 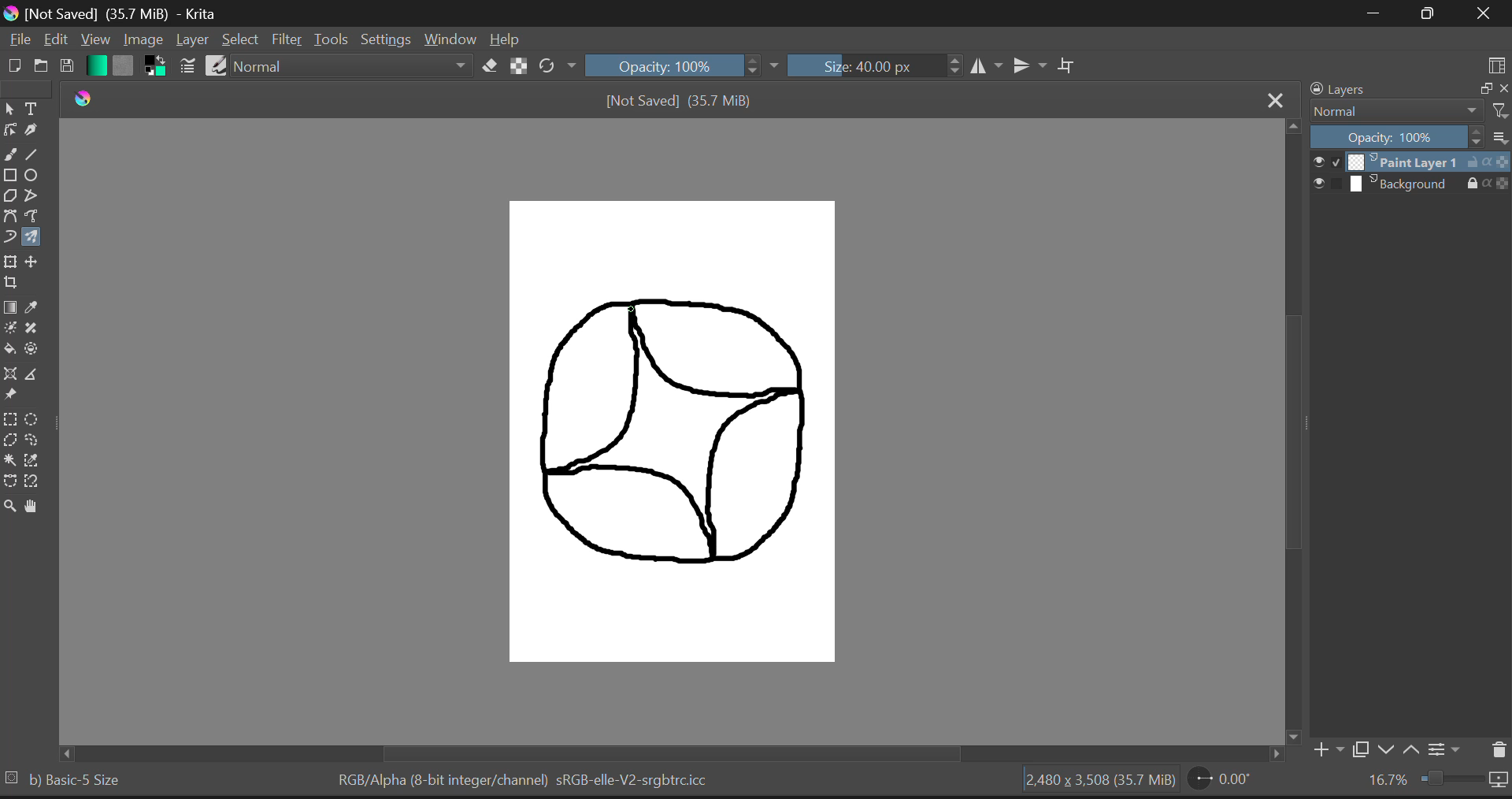 What do you see at coordinates (35, 152) in the screenshot?
I see `Line` at bounding box center [35, 152].